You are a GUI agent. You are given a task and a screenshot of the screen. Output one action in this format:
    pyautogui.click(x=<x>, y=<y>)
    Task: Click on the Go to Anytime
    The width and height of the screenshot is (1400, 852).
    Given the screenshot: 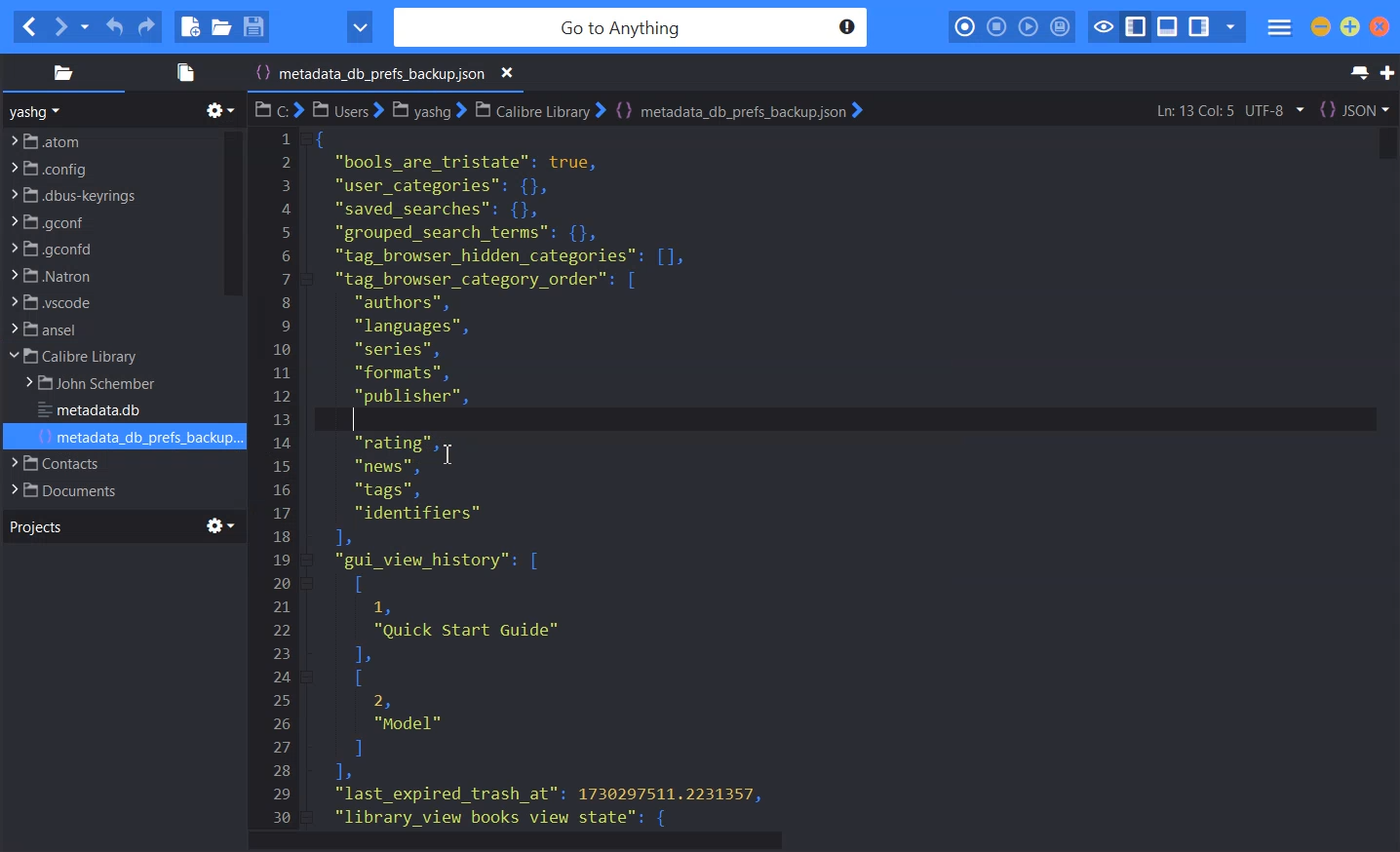 What is the action you would take?
    pyautogui.click(x=633, y=28)
    